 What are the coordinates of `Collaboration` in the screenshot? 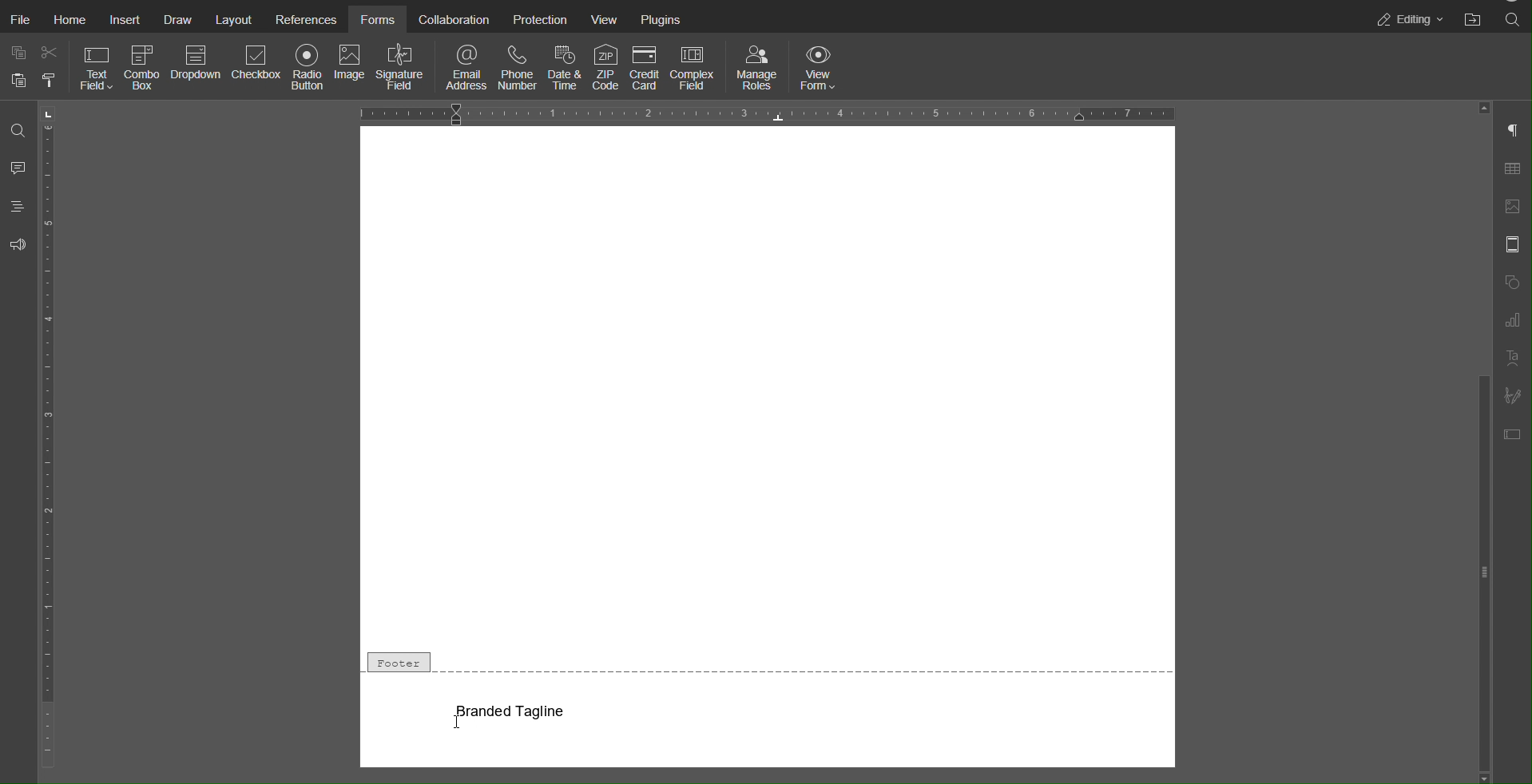 It's located at (451, 18).